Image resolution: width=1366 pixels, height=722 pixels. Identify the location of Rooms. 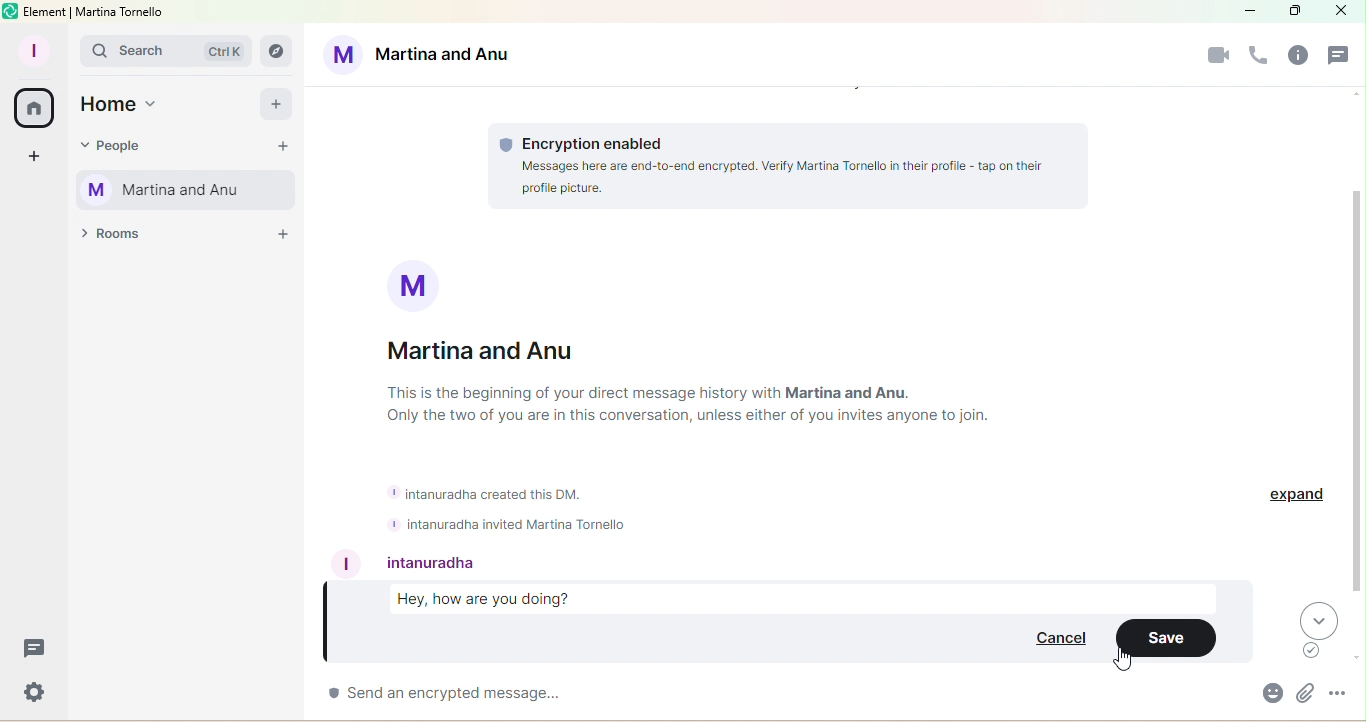
(113, 238).